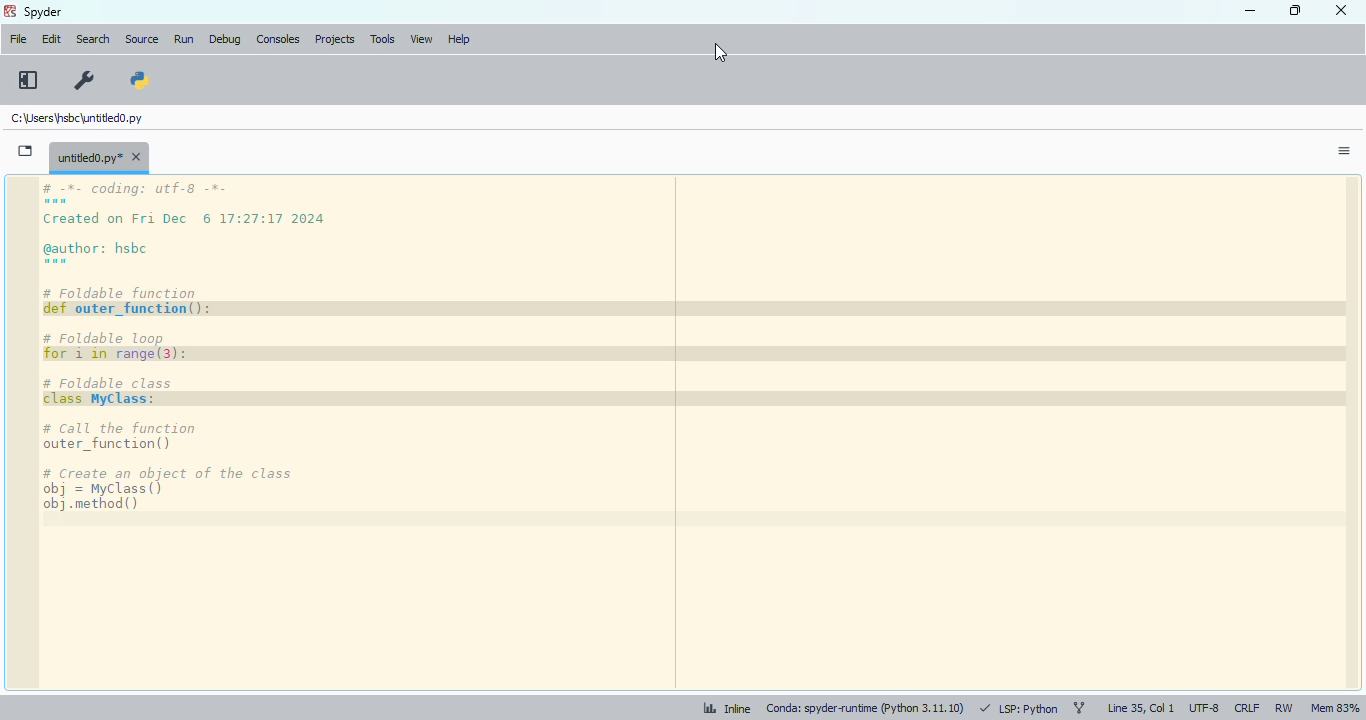  Describe the element at coordinates (93, 39) in the screenshot. I see `search` at that location.